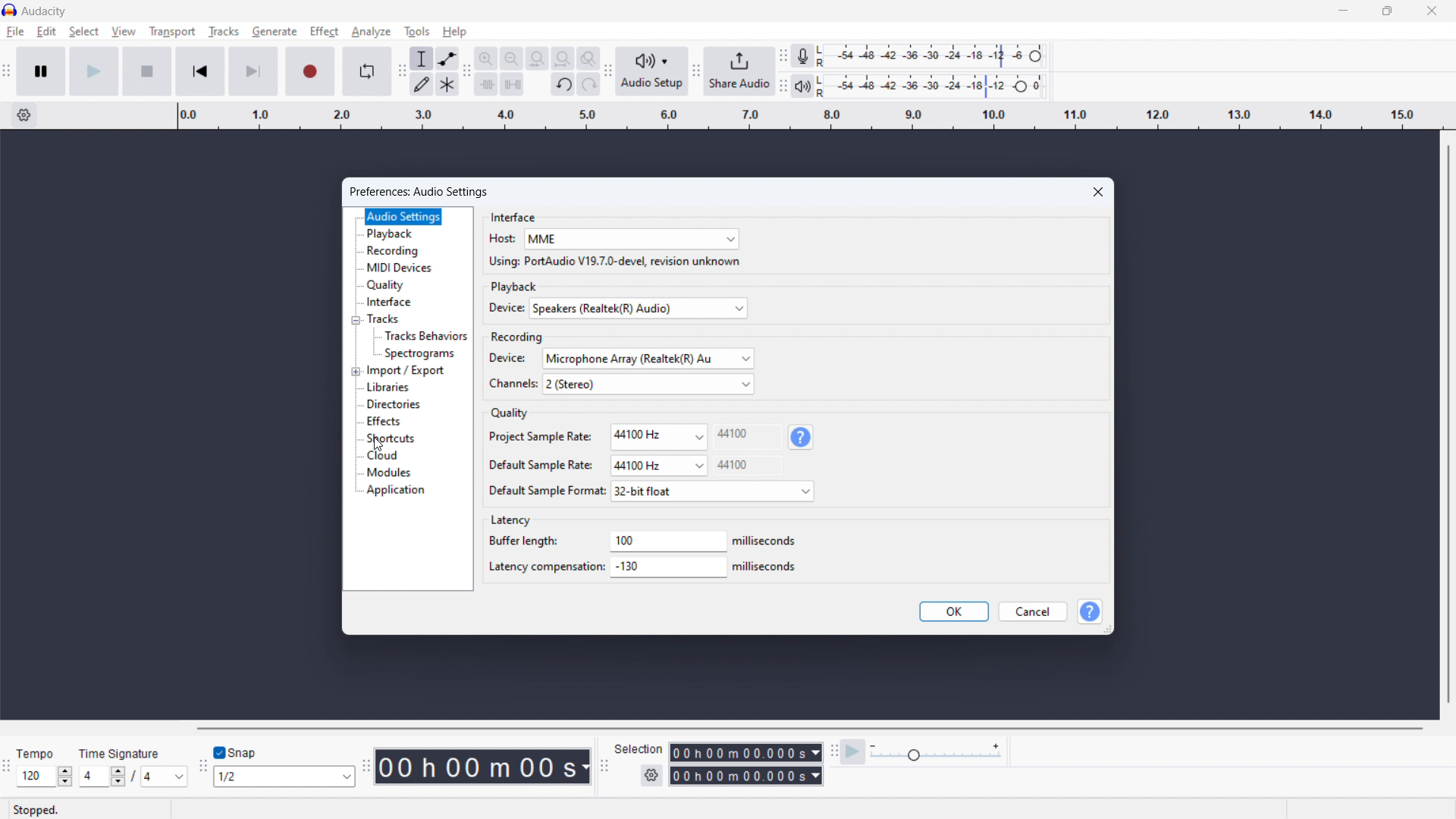  Describe the element at coordinates (379, 444) in the screenshot. I see `Cursor` at that location.